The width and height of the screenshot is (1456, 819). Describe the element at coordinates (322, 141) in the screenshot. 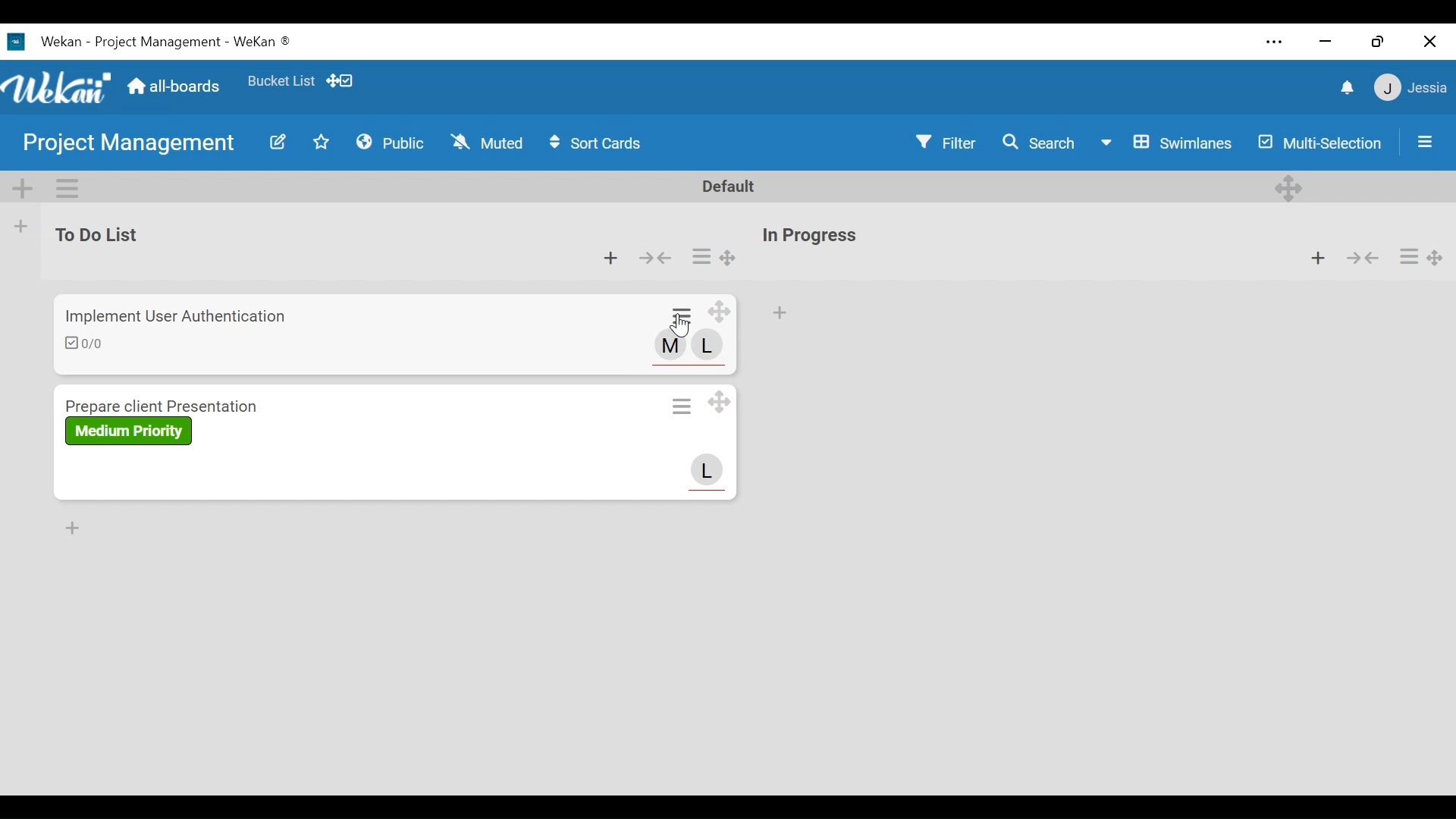

I see `Favorites` at that location.